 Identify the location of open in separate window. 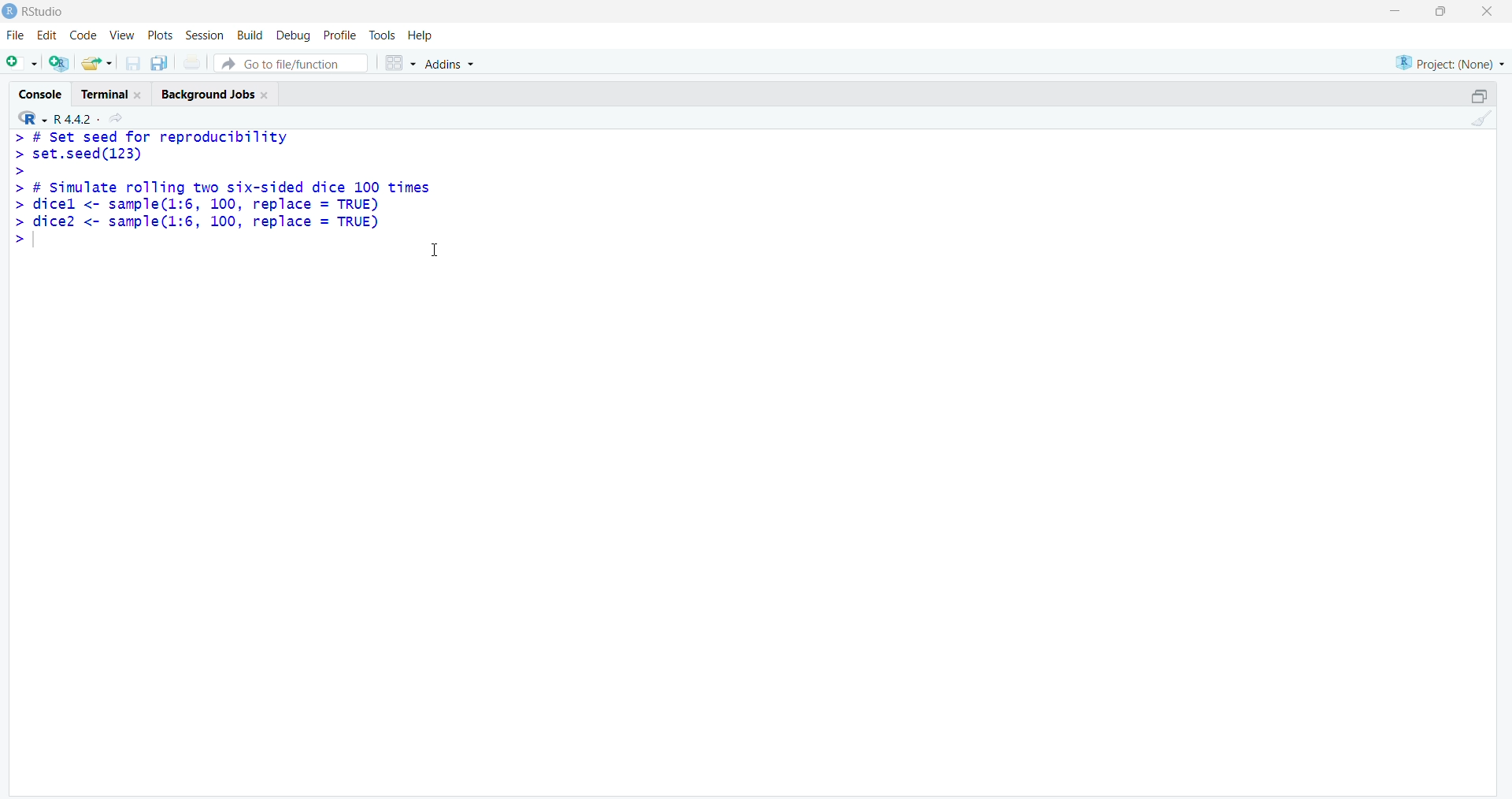
(1480, 96).